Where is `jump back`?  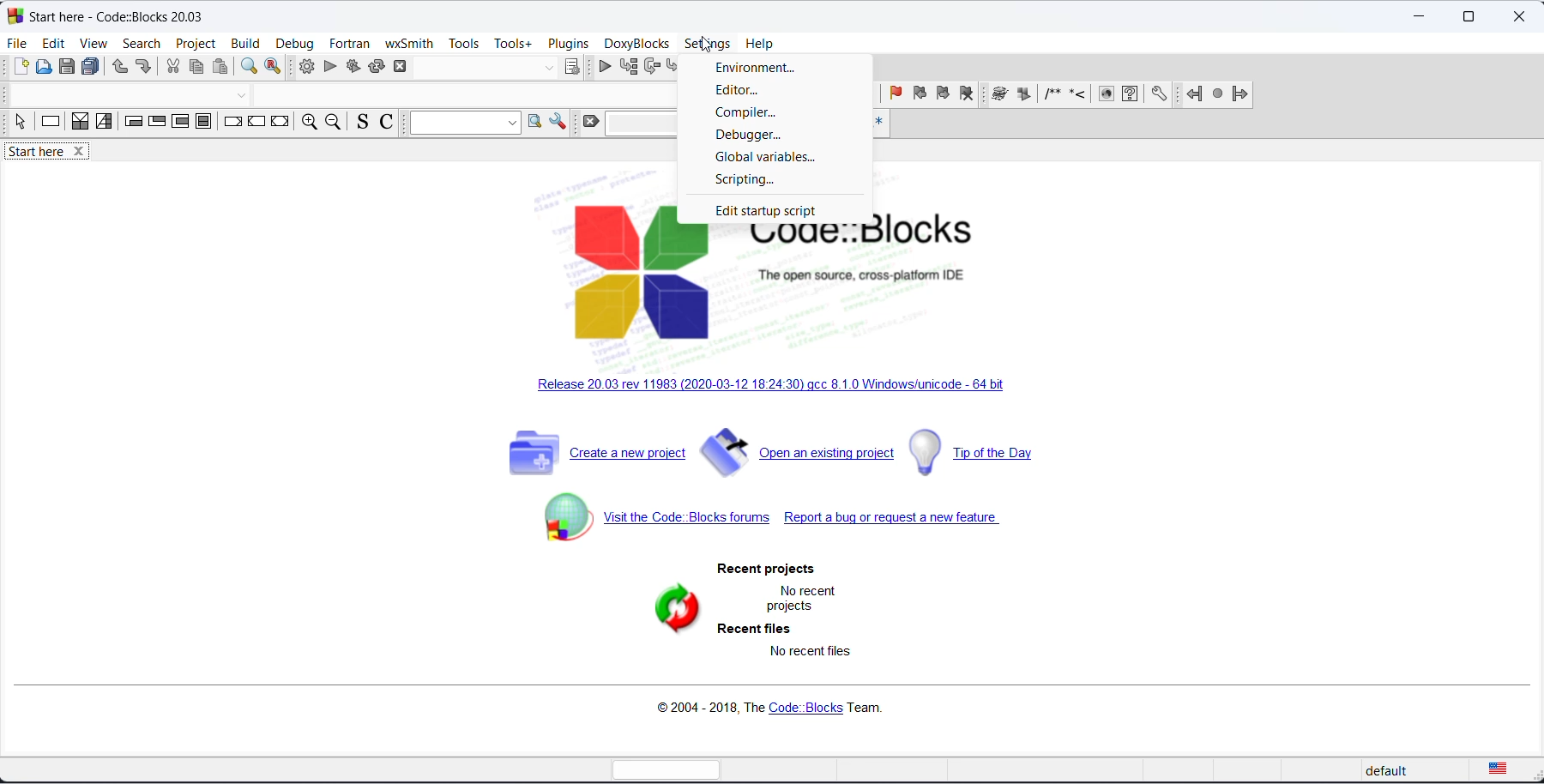 jump back is located at coordinates (1195, 93).